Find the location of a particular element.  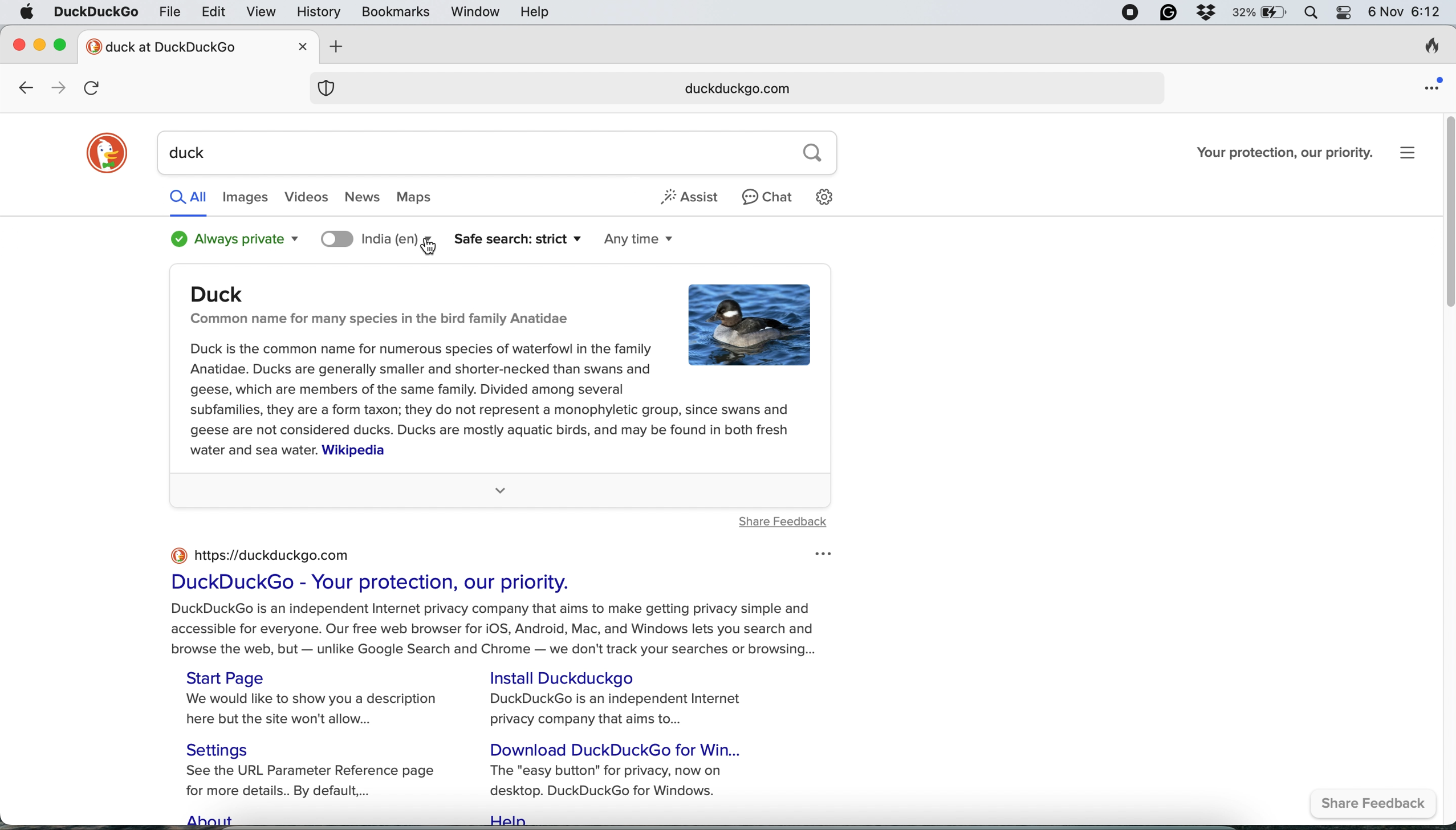

file is located at coordinates (170, 11).